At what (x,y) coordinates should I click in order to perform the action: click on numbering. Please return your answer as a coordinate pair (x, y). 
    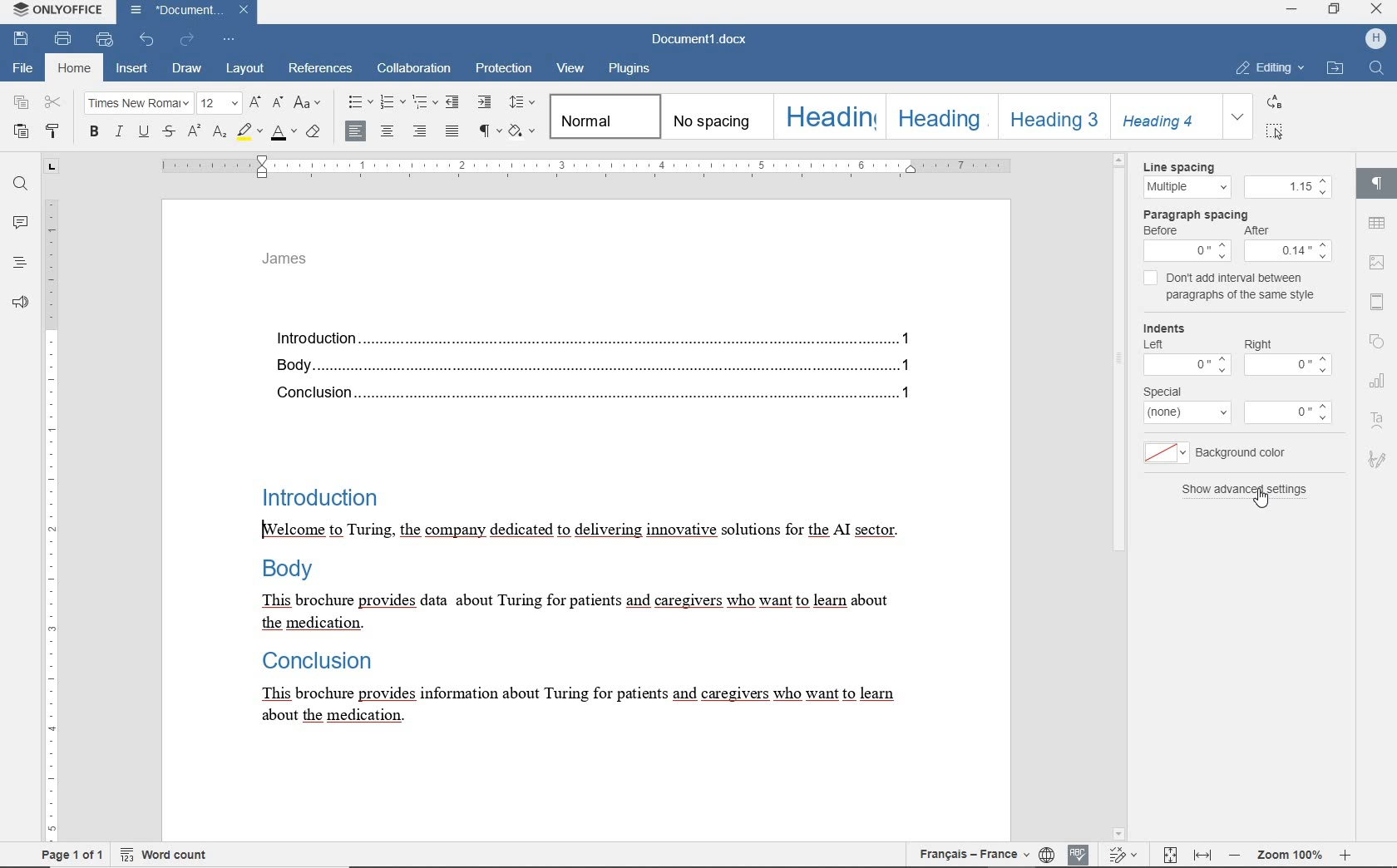
    Looking at the image, I should click on (392, 101).